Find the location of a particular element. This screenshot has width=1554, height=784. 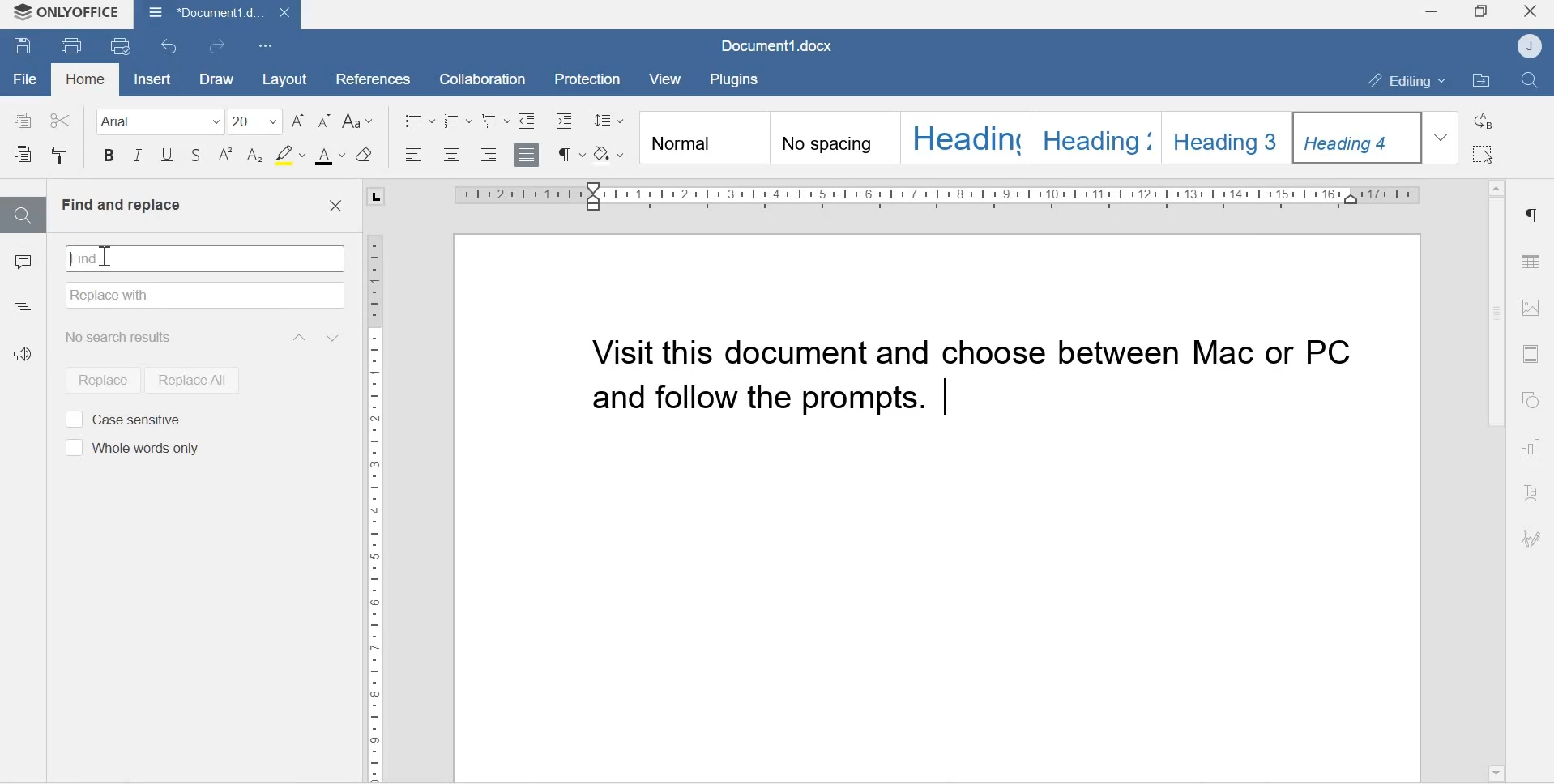

font color is located at coordinates (331, 156).